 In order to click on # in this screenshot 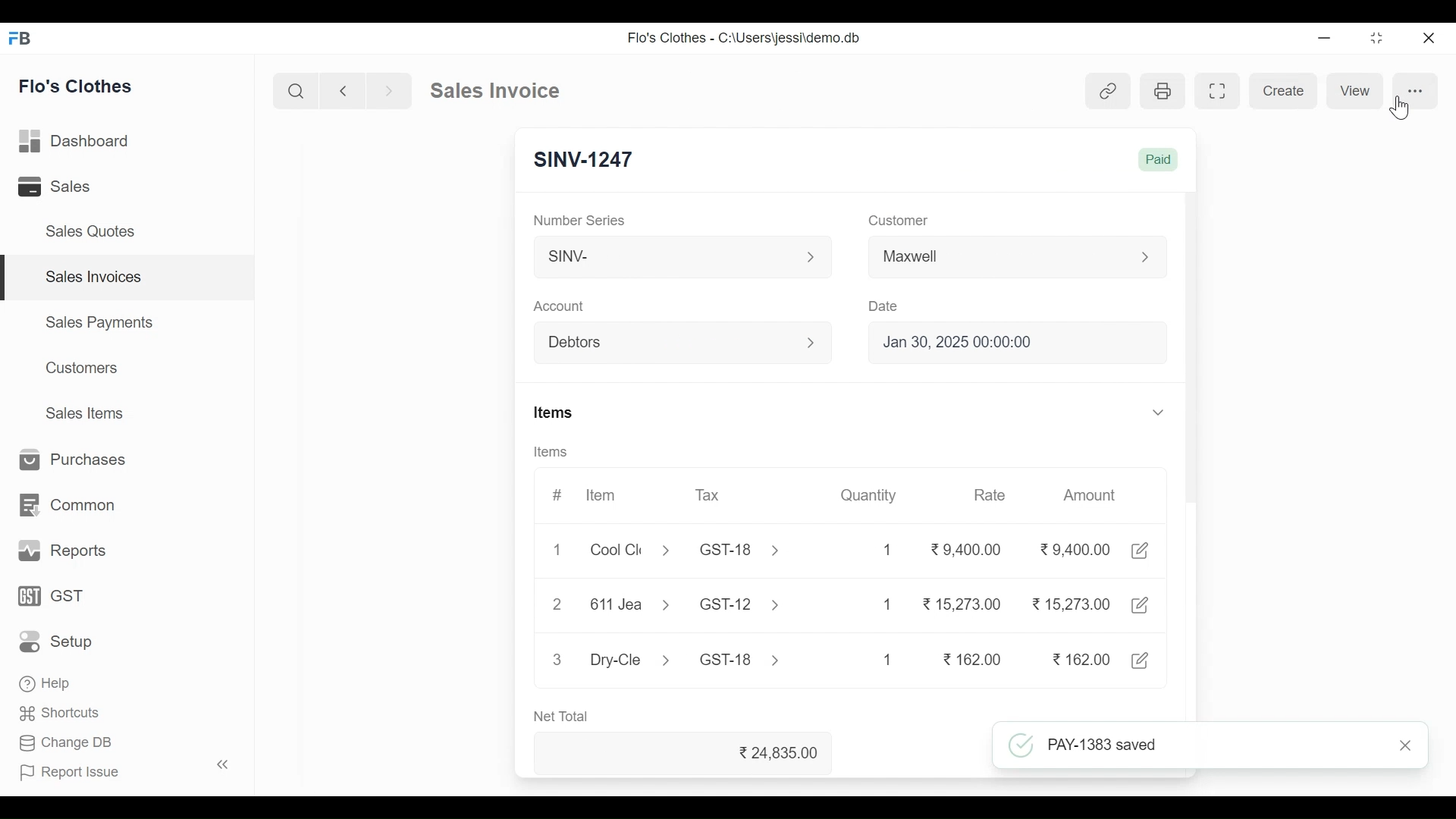, I will do `click(557, 495)`.